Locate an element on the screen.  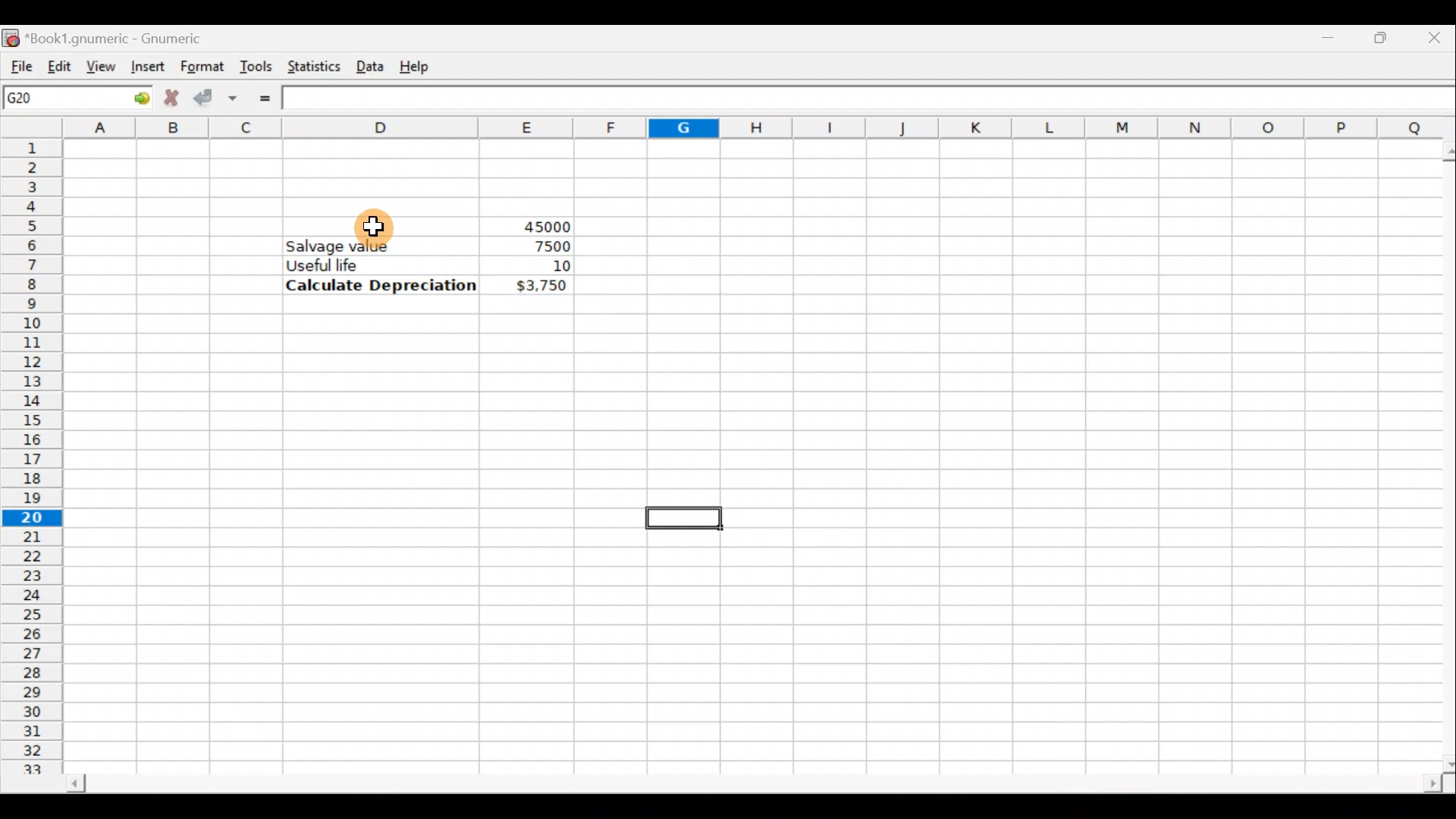
Tools is located at coordinates (256, 65).